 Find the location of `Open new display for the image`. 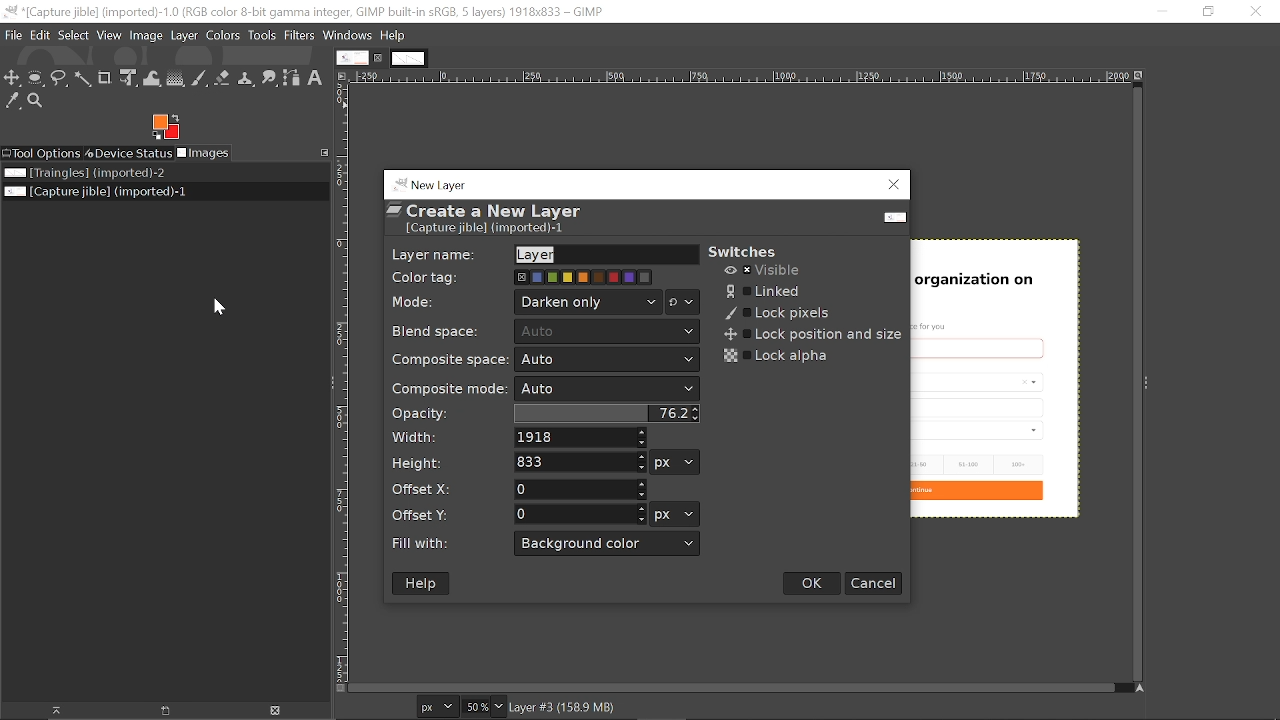

Open new display for the image is located at coordinates (158, 710).